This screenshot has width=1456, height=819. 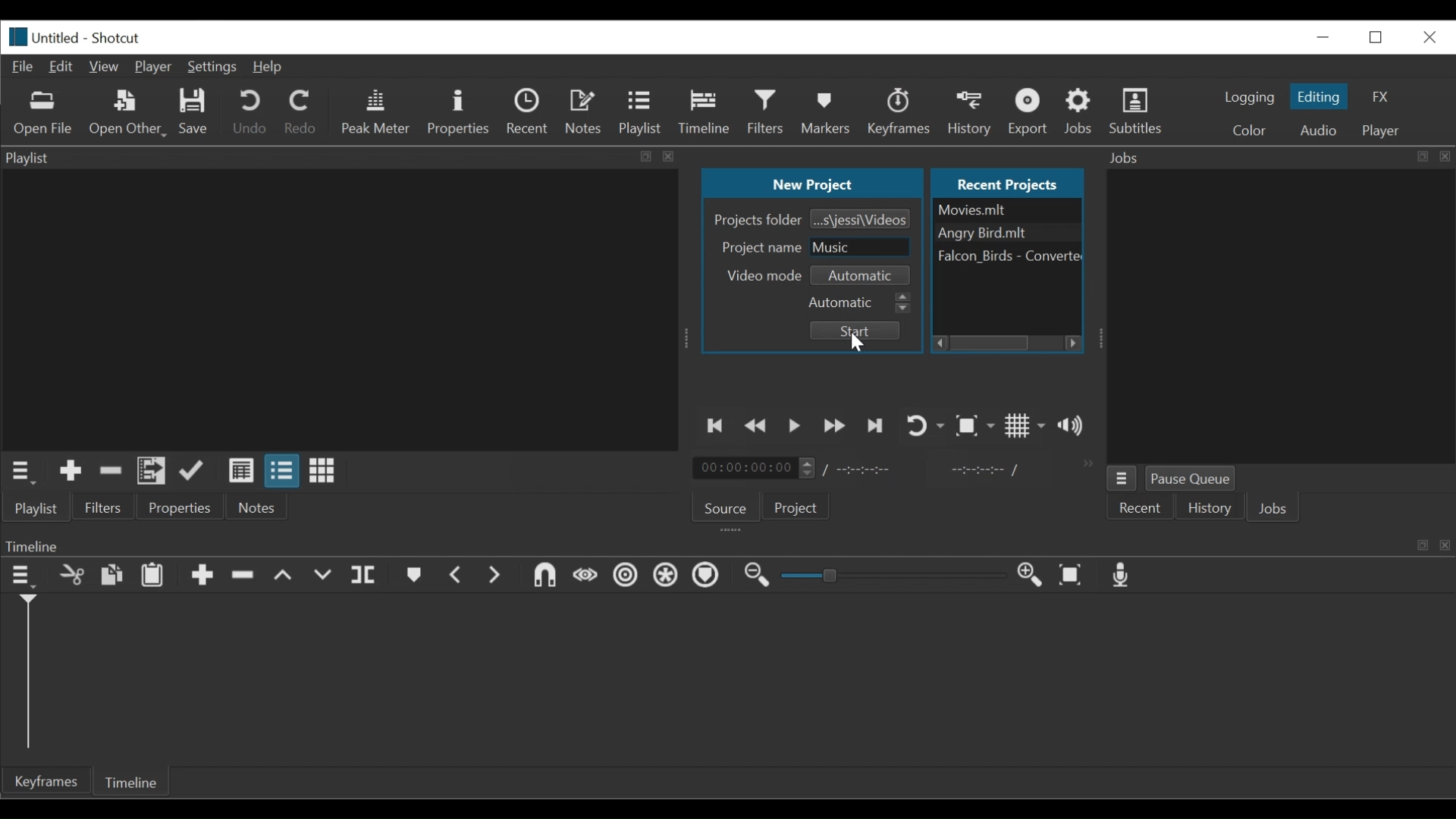 What do you see at coordinates (70, 574) in the screenshot?
I see `Remove cut` at bounding box center [70, 574].